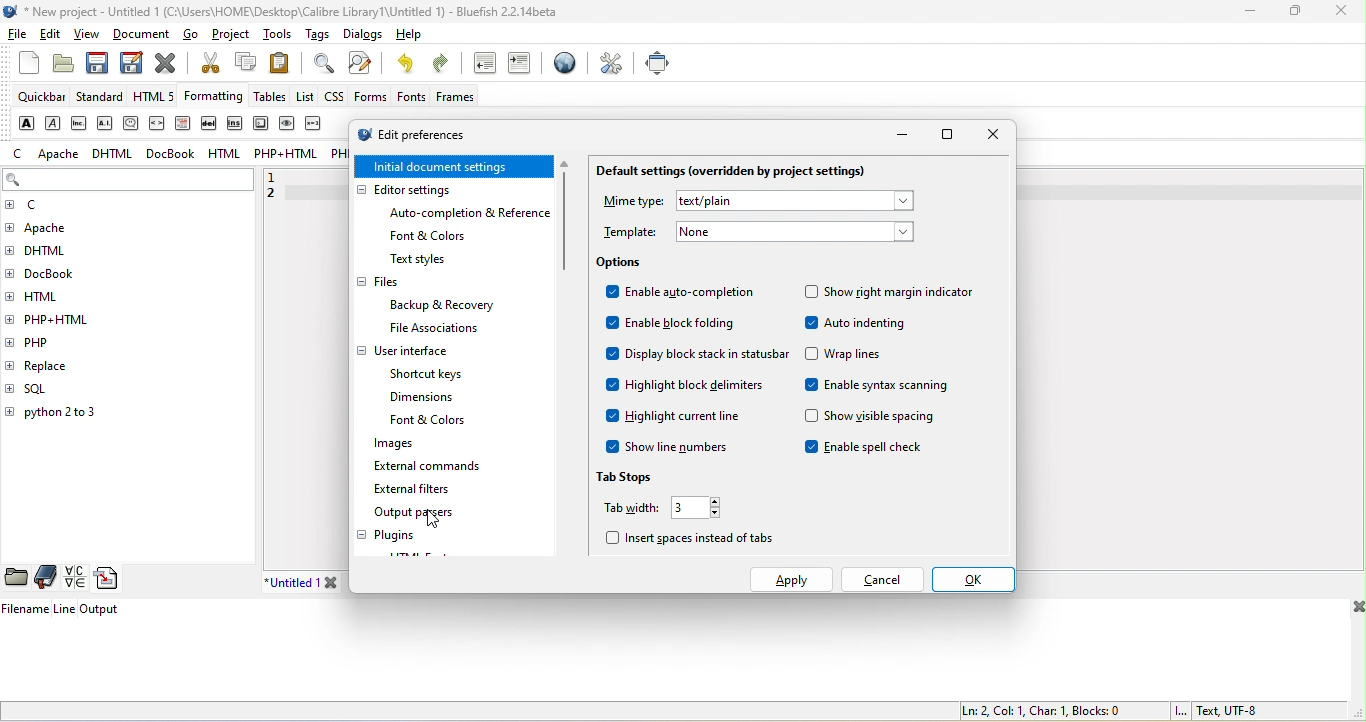 The height and width of the screenshot is (722, 1366). Describe the element at coordinates (433, 467) in the screenshot. I see `external commands` at that location.